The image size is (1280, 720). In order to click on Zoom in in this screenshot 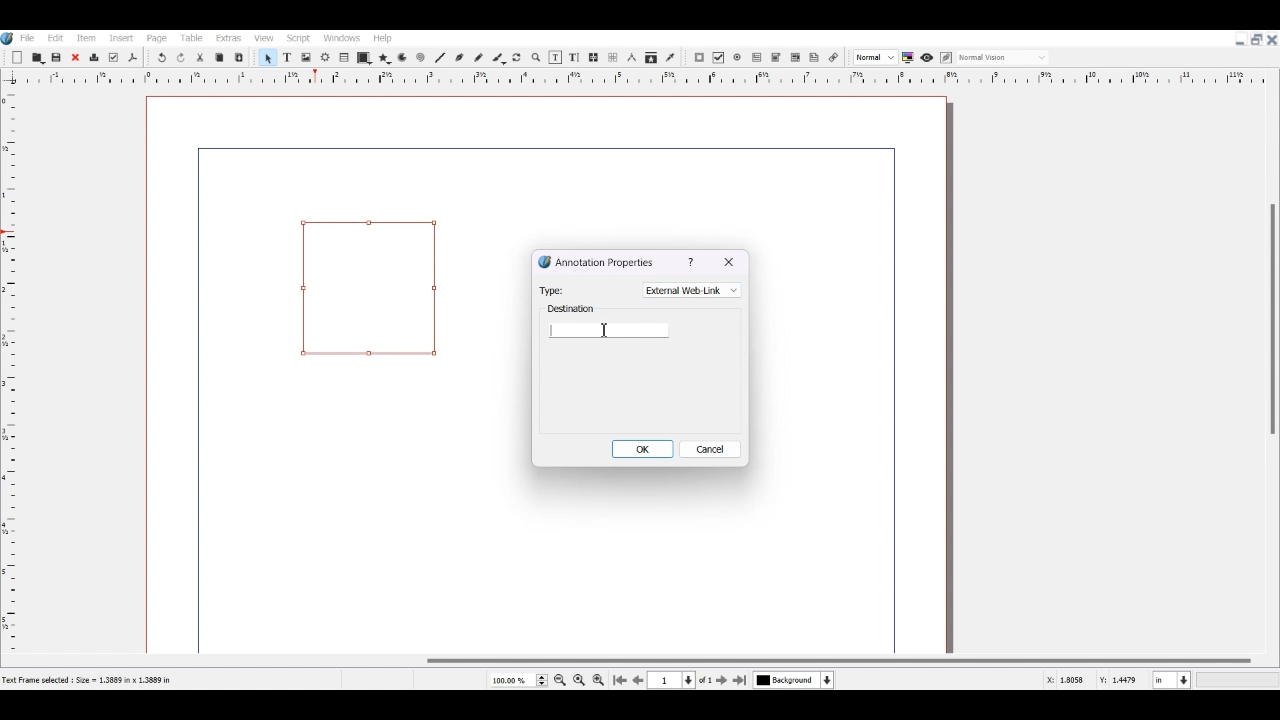, I will do `click(598, 679)`.